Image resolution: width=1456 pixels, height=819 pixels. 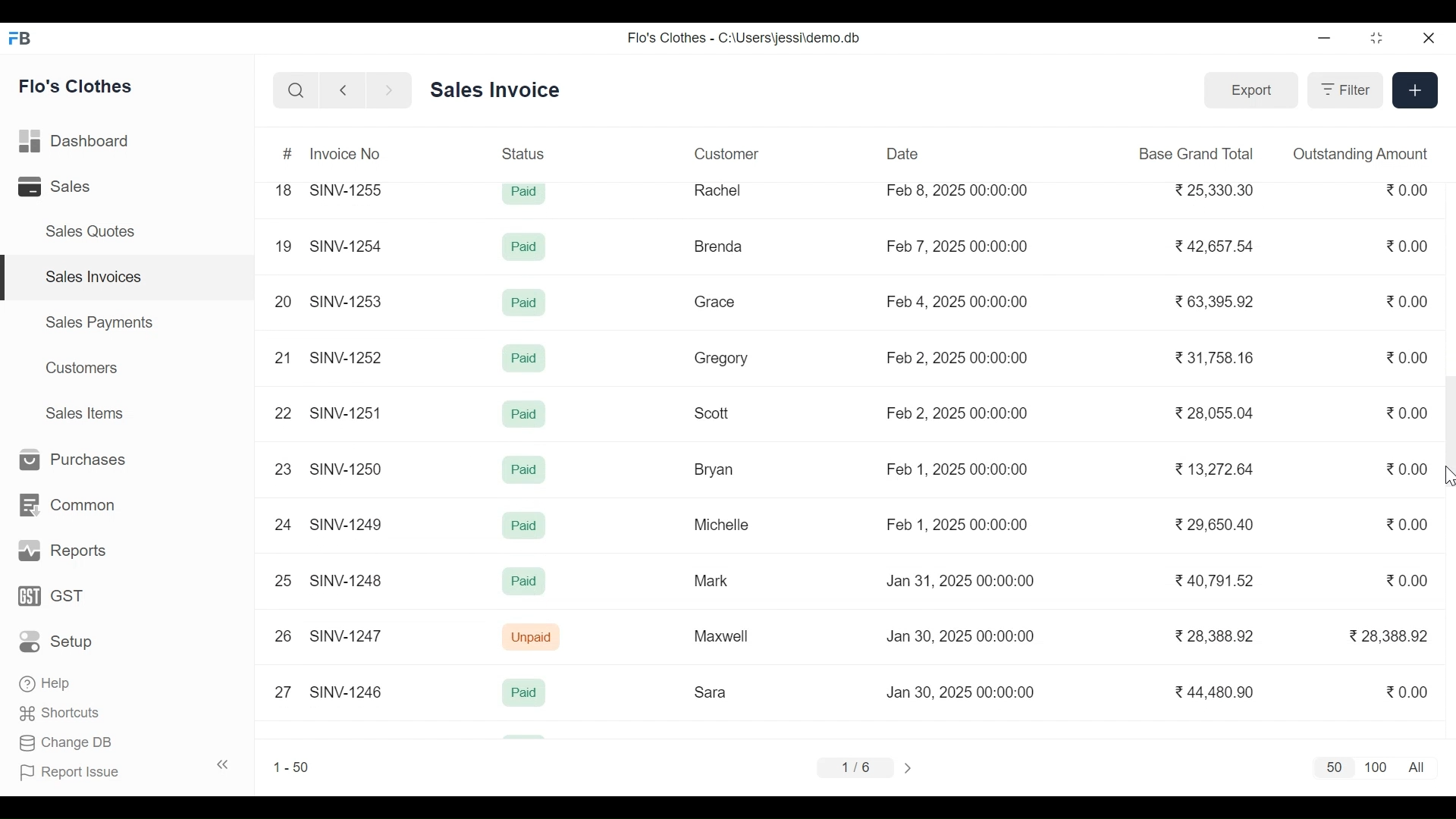 I want to click on Frappe Book Desktop Icon, so click(x=25, y=39).